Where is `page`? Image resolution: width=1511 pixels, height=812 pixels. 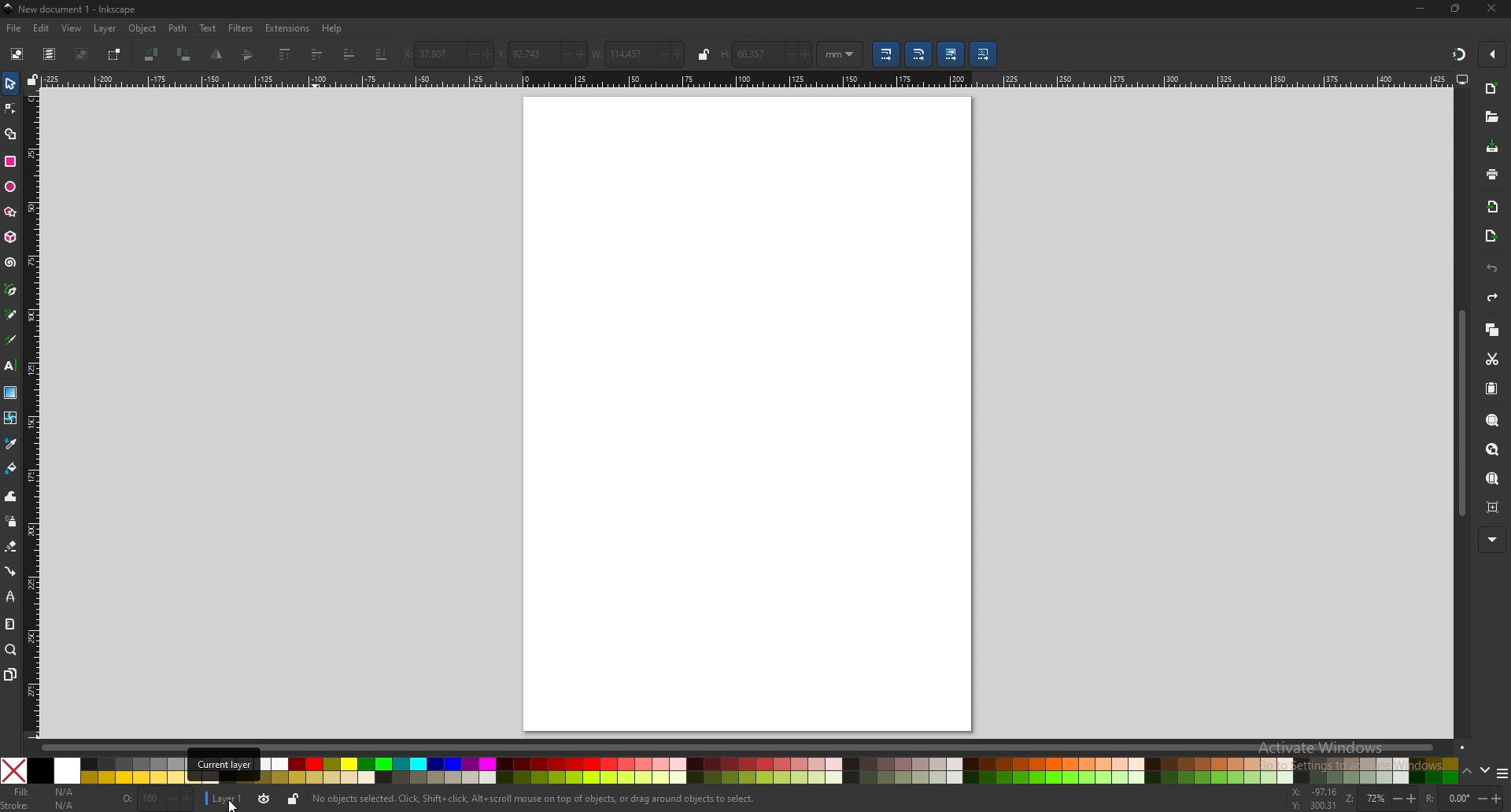
page is located at coordinates (749, 415).